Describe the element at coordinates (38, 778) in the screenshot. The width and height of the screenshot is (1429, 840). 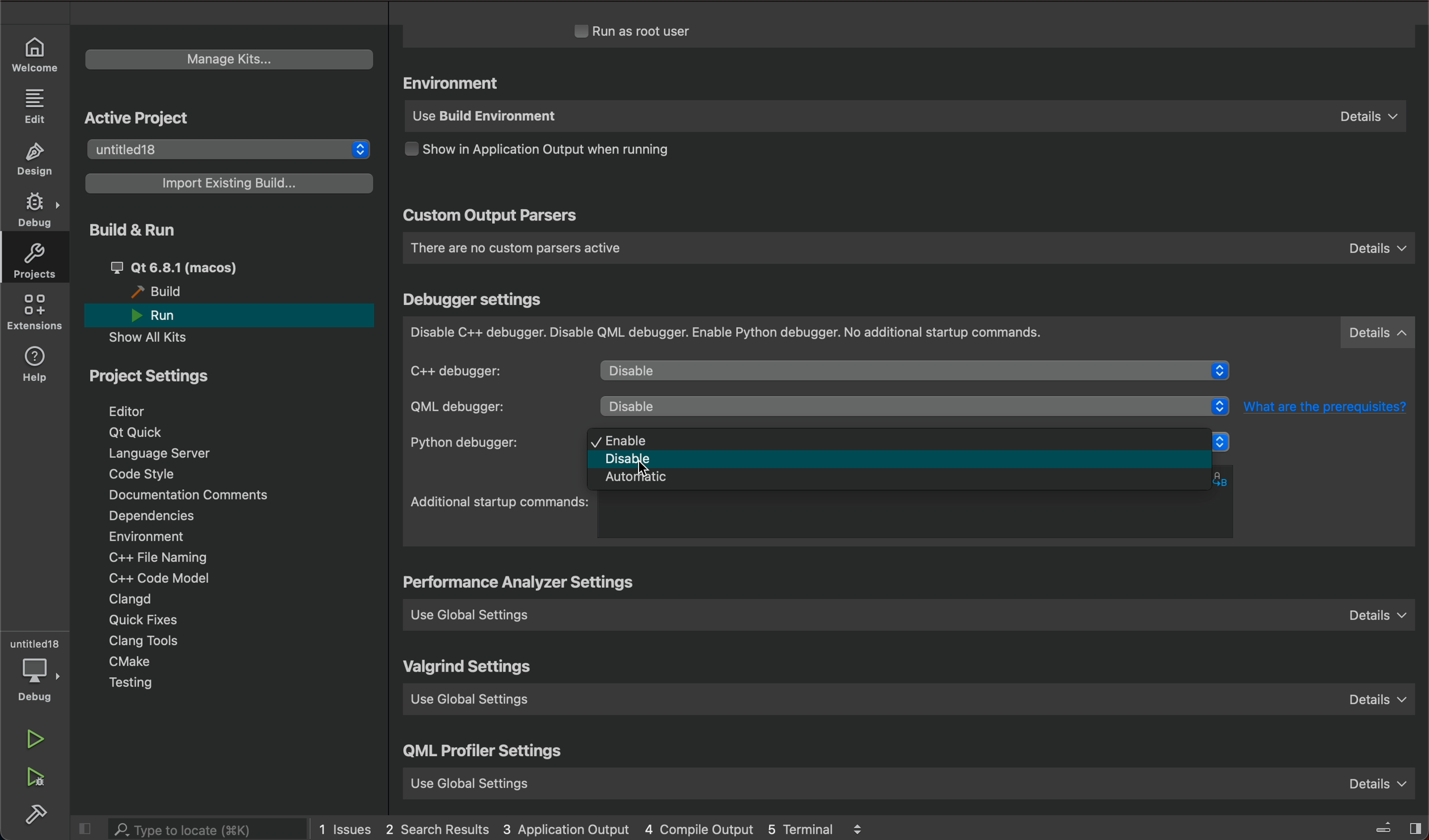
I see `run debug` at that location.